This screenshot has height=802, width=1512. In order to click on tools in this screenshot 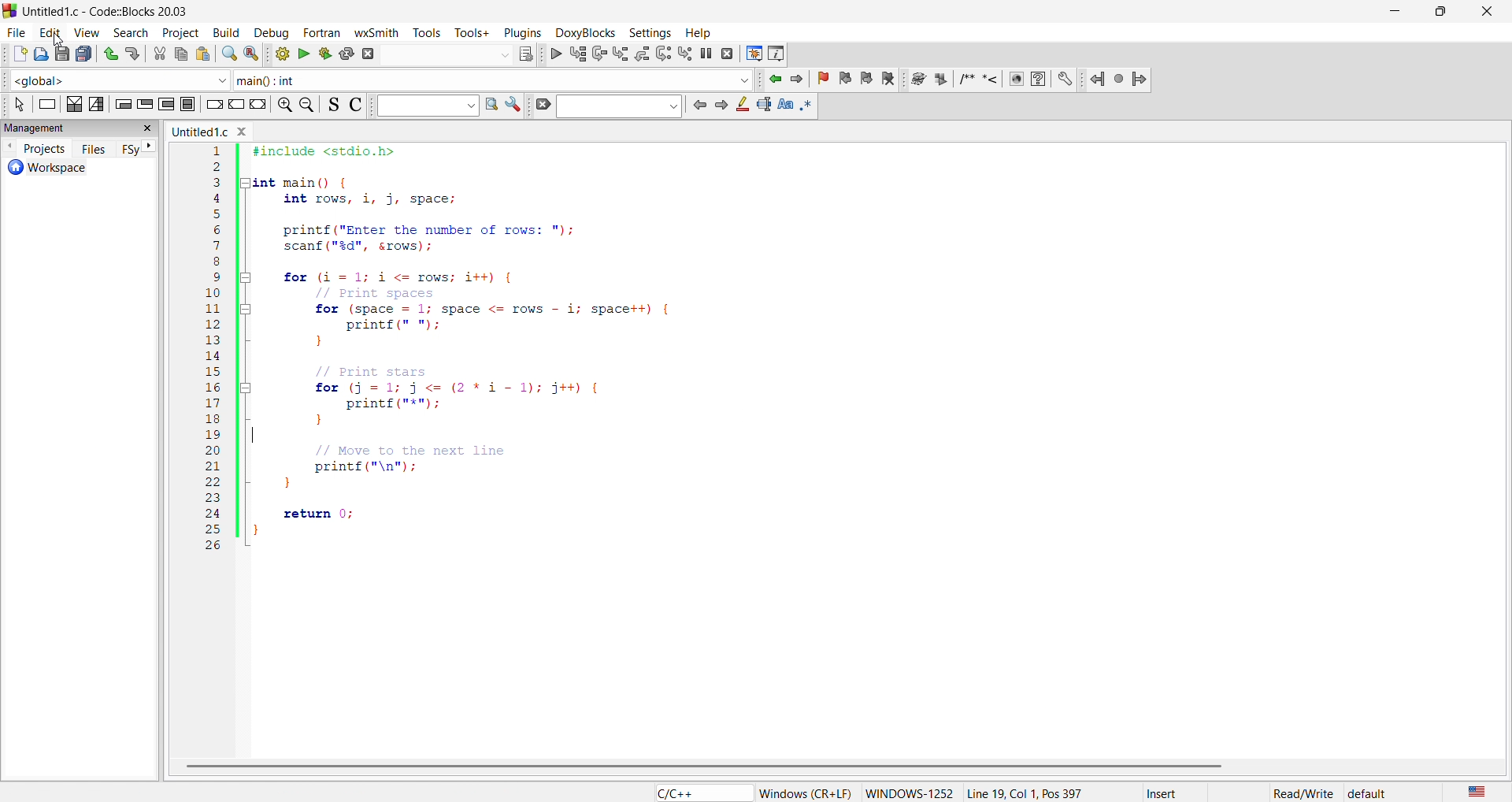, I will do `click(430, 32)`.